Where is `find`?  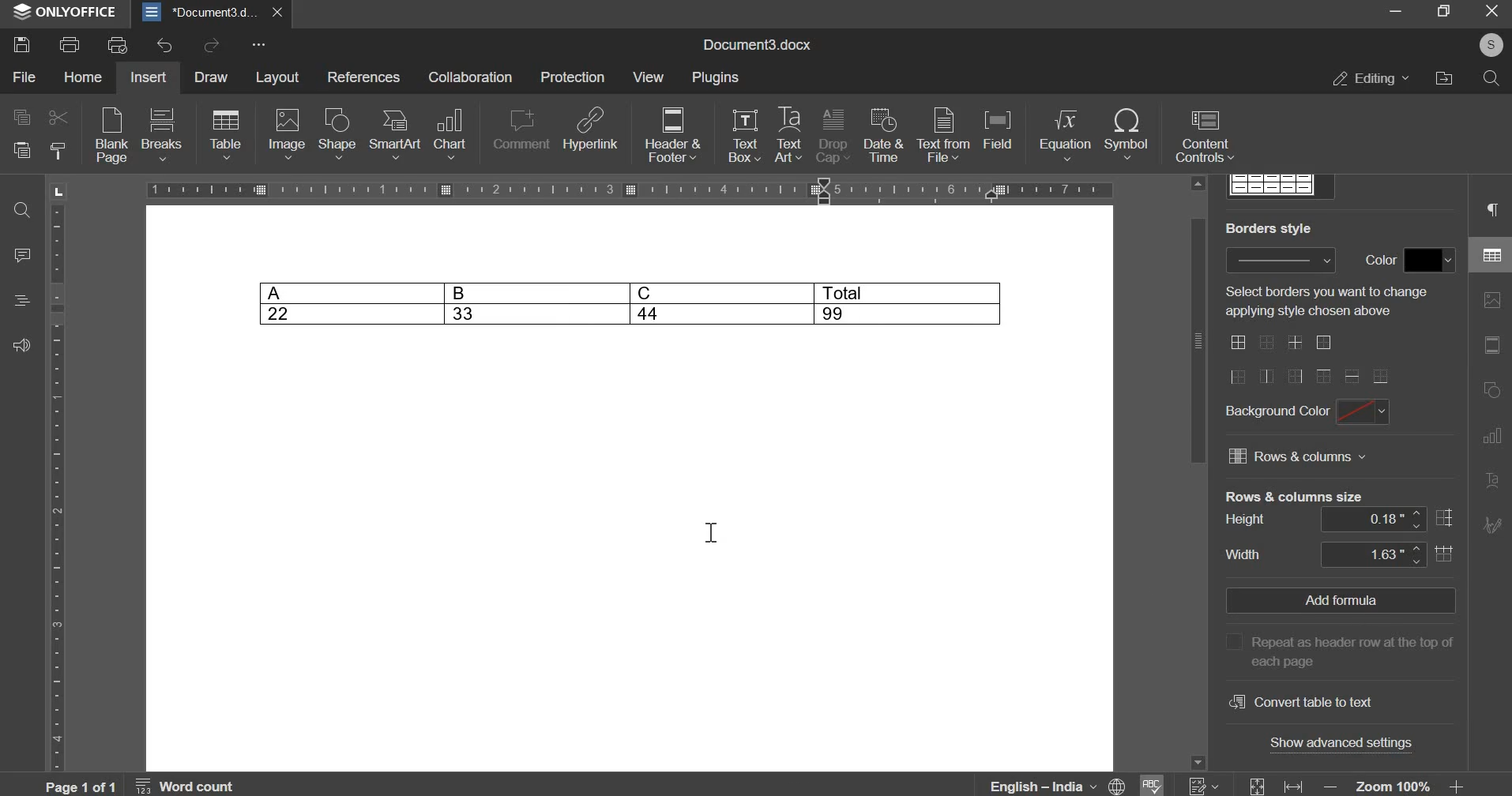
find is located at coordinates (24, 212).